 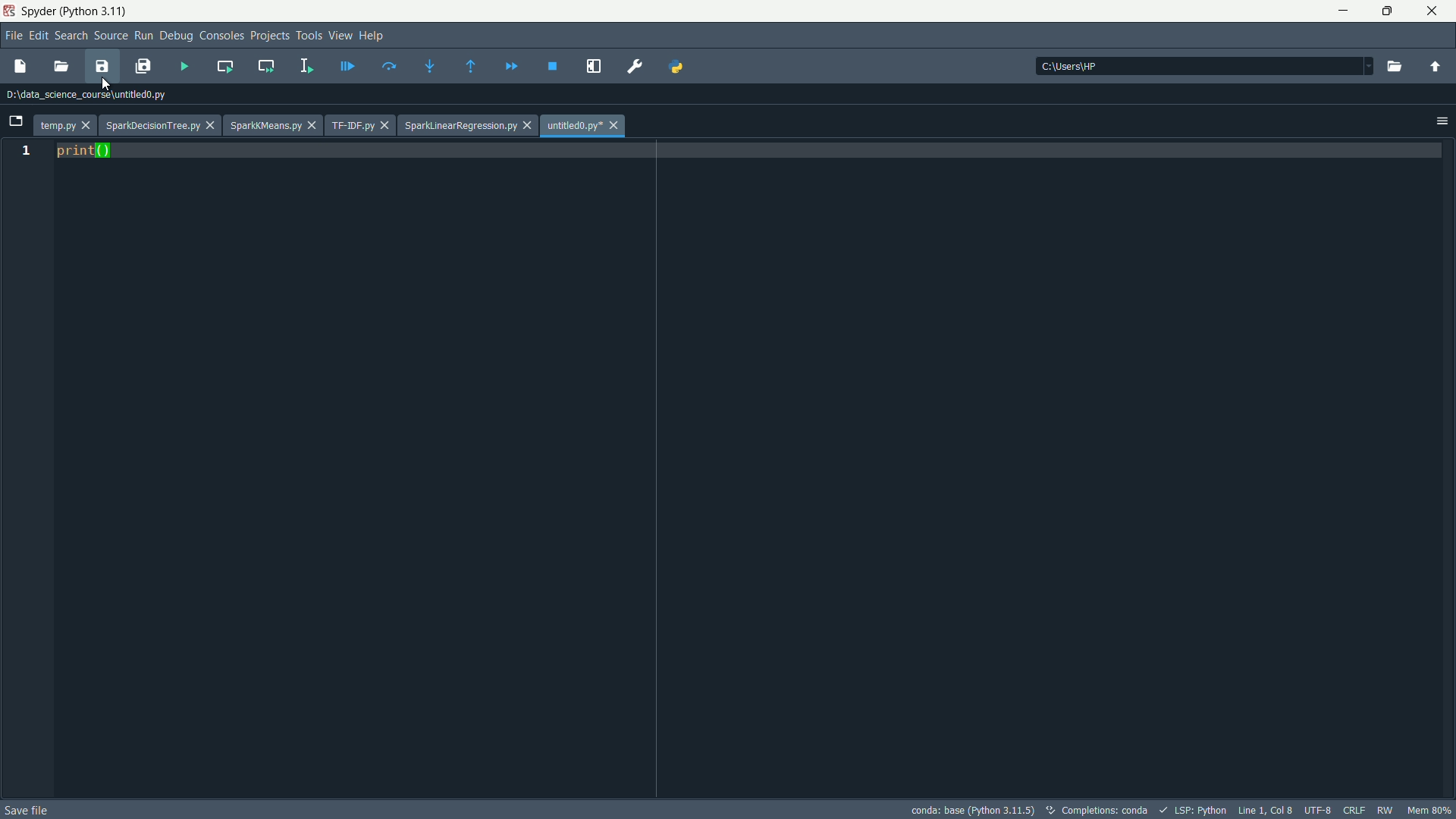 I want to click on browse working directory, so click(x=1390, y=65).